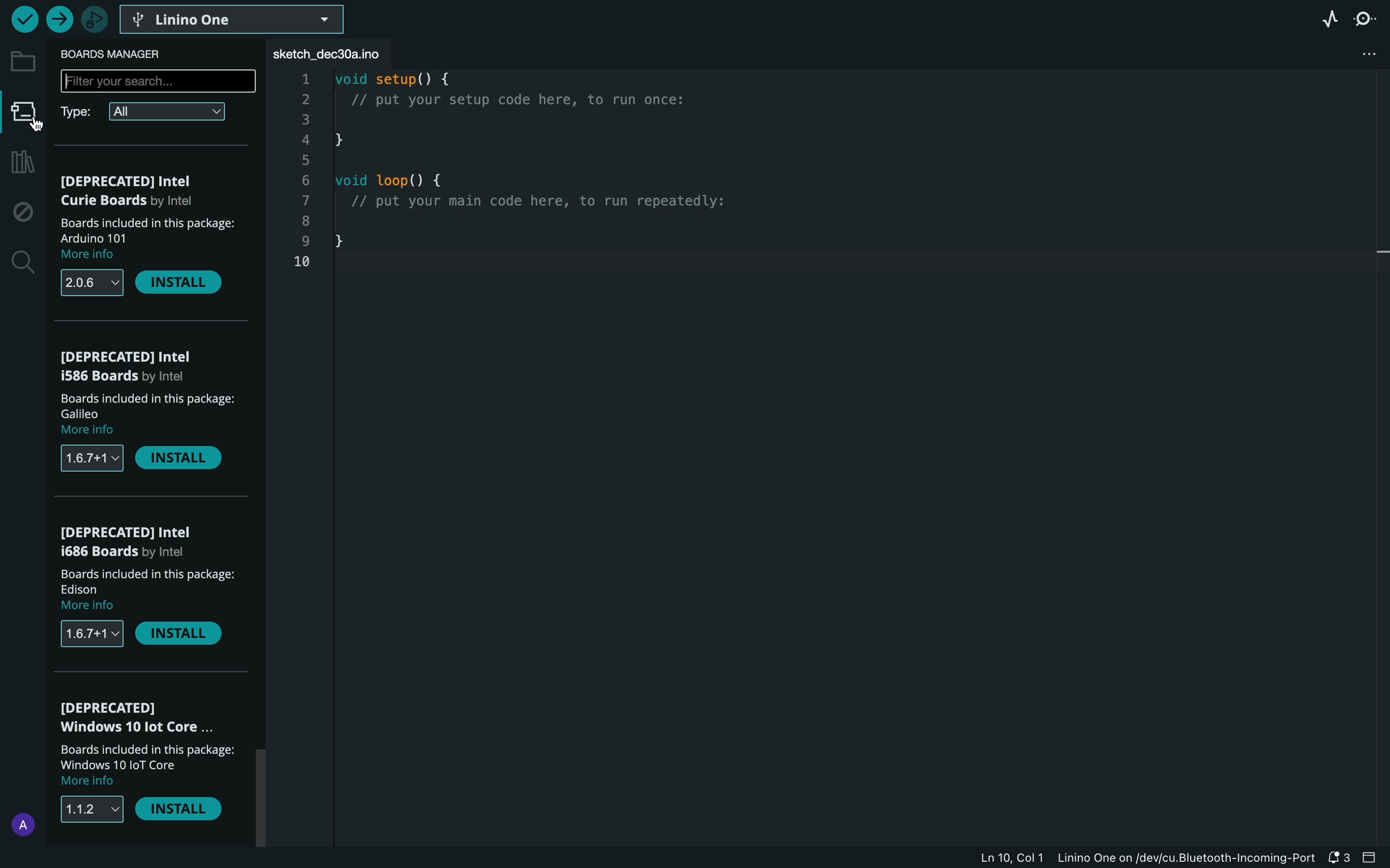  What do you see at coordinates (88, 459) in the screenshot?
I see `versions` at bounding box center [88, 459].